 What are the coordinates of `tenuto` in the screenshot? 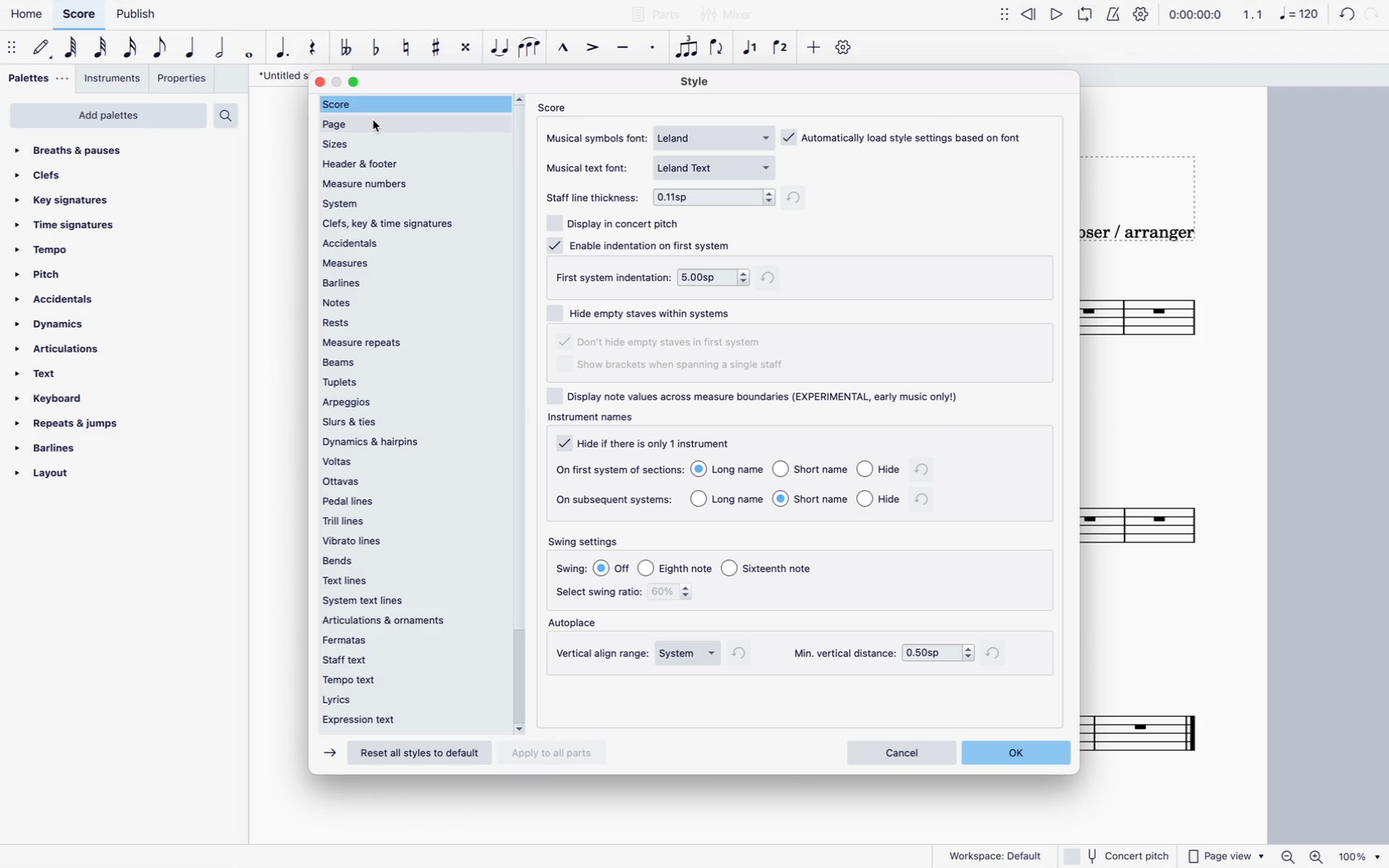 It's located at (623, 50).